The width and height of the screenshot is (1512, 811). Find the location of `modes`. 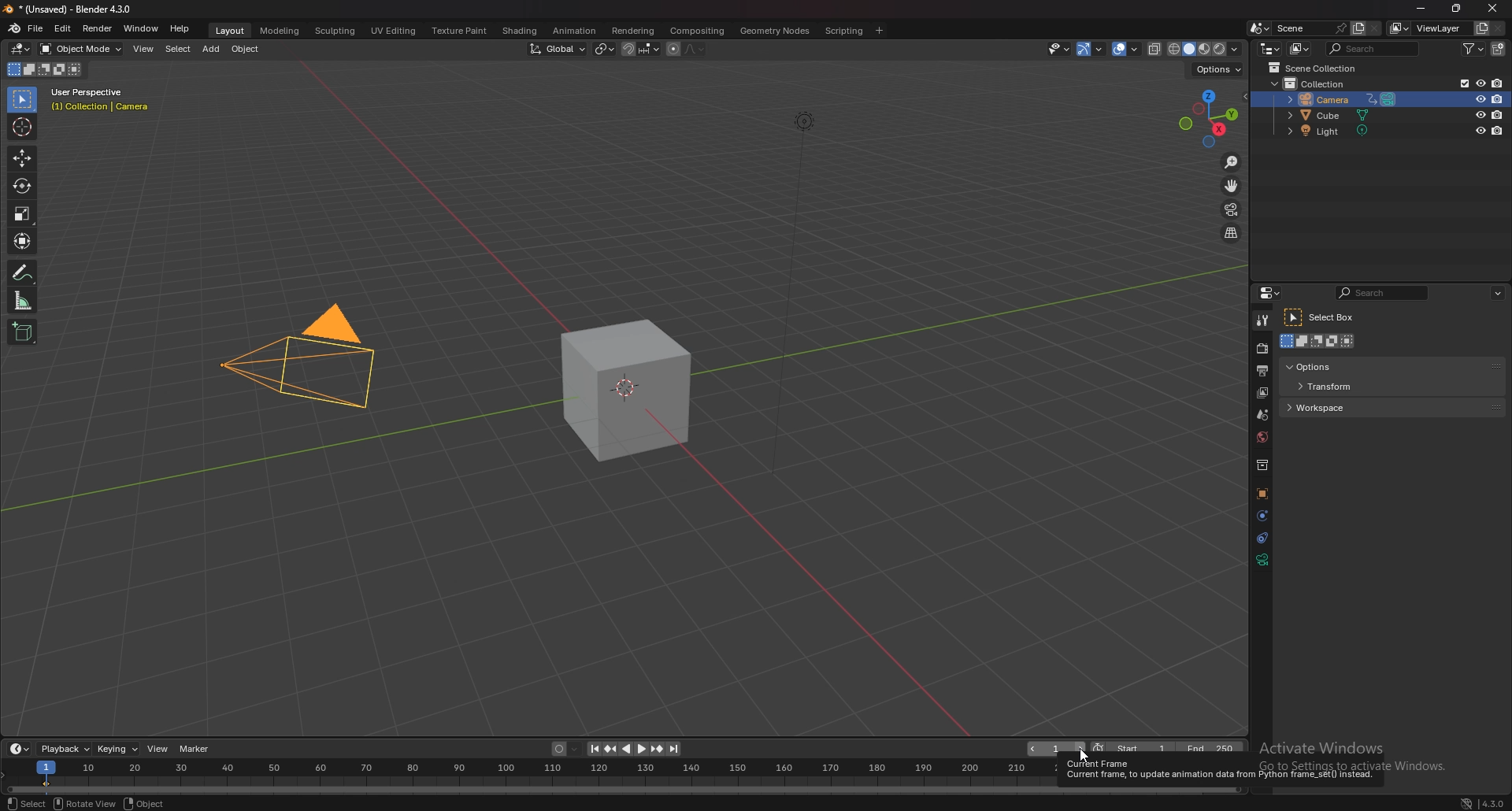

modes is located at coordinates (1320, 341).